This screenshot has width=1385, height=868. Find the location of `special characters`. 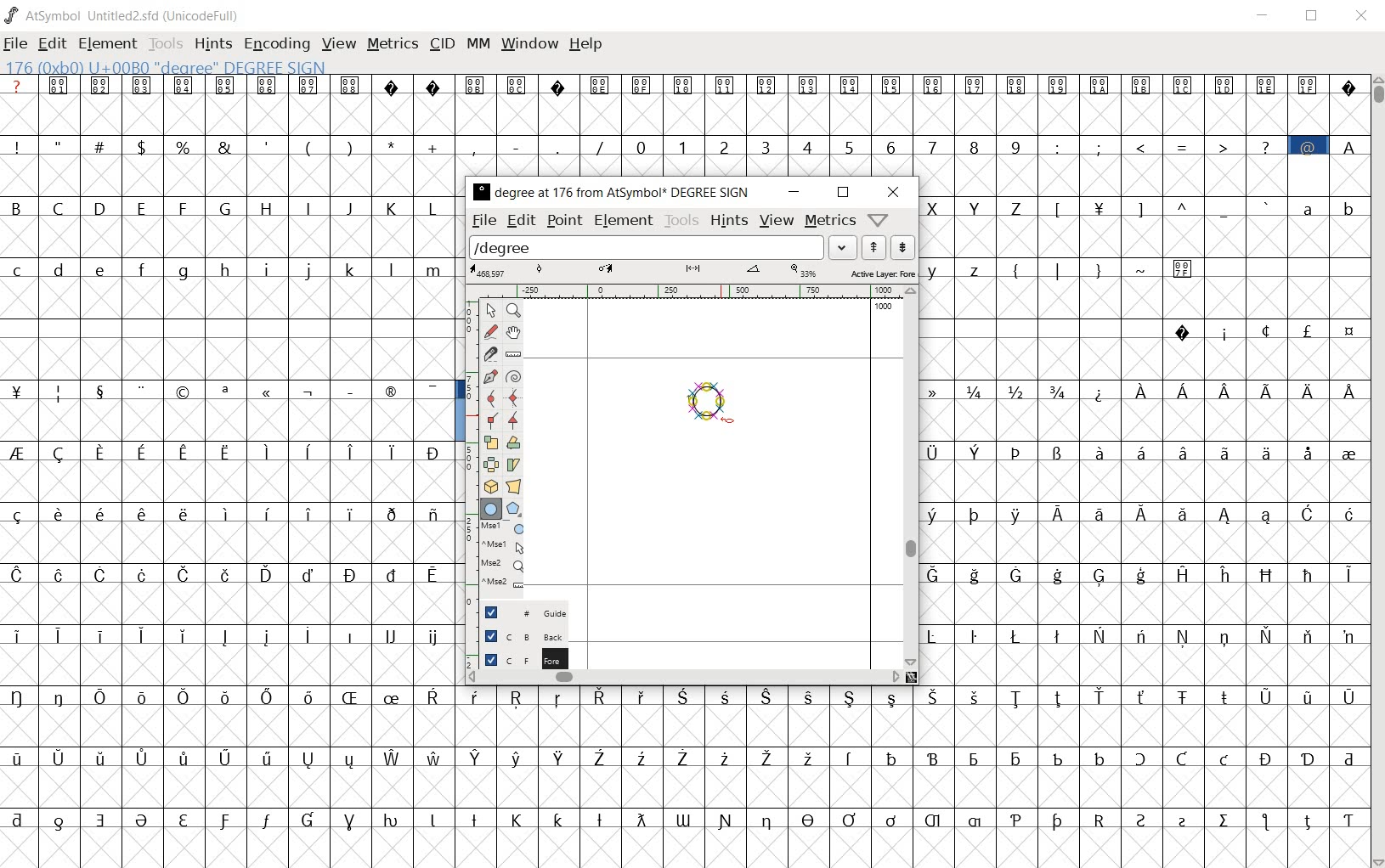

special characters is located at coordinates (307, 144).